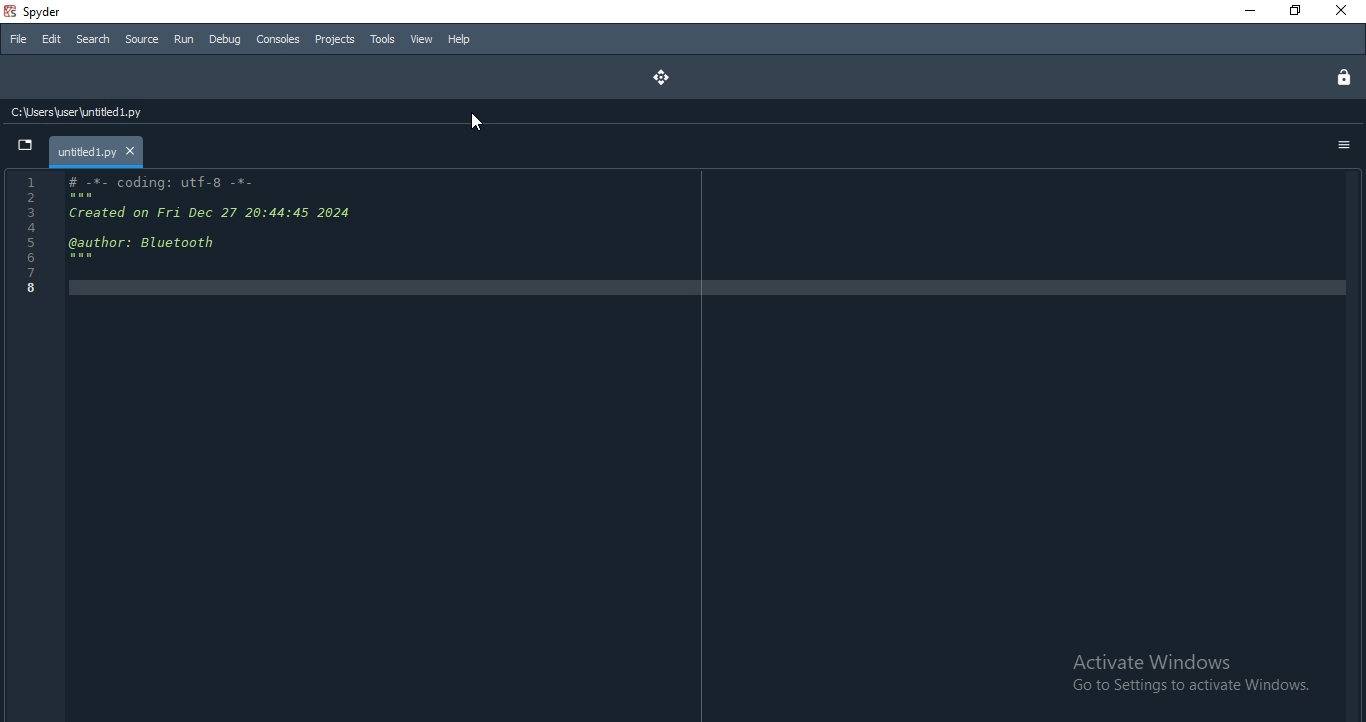  Describe the element at coordinates (95, 150) in the screenshot. I see `untitled.py` at that location.